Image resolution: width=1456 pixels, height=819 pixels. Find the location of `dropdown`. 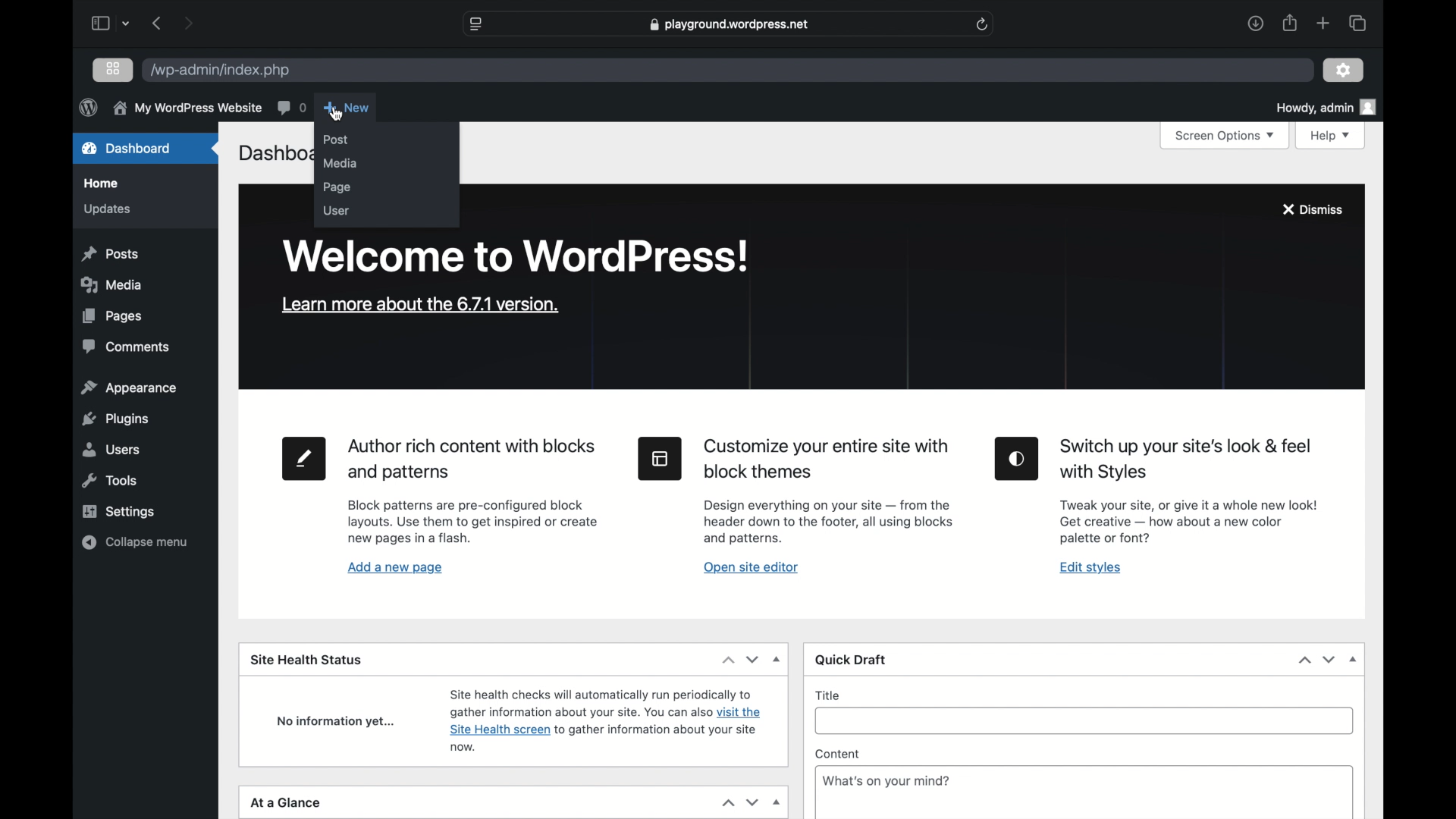

dropdown is located at coordinates (1353, 660).